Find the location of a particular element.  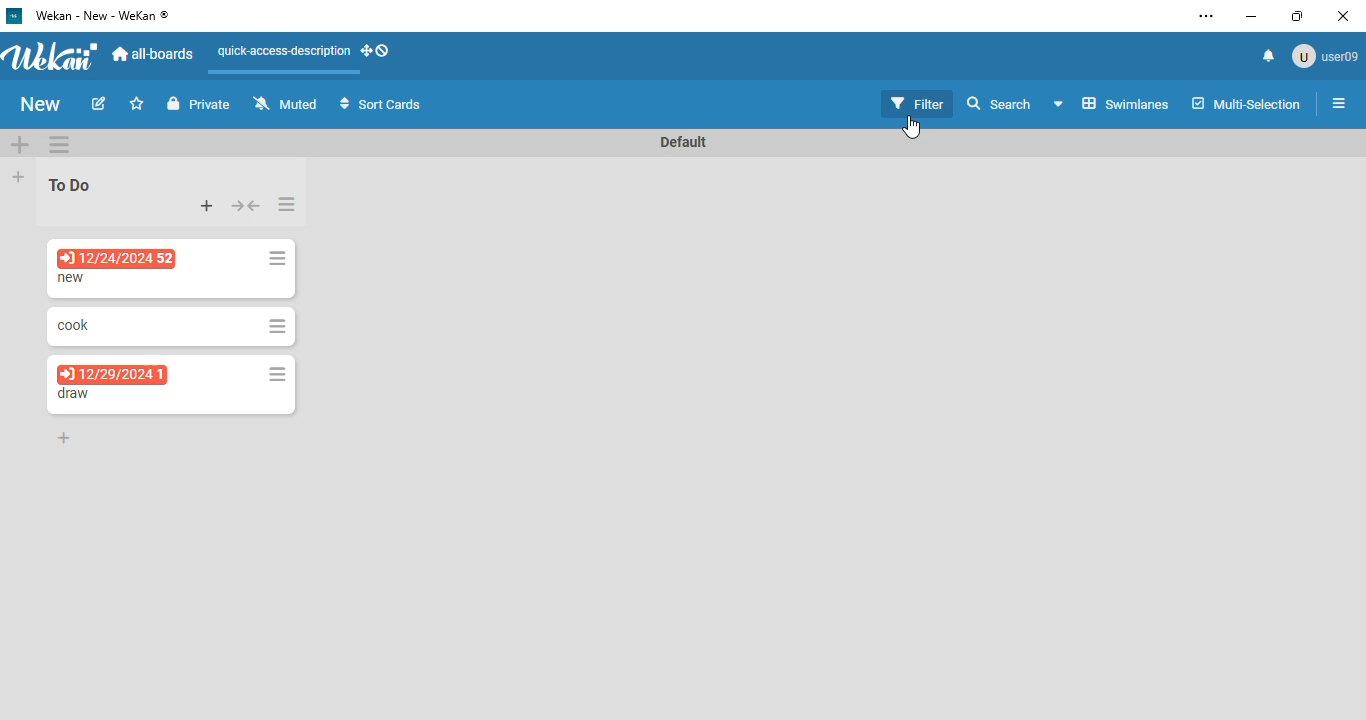

add swimlane is located at coordinates (21, 143).